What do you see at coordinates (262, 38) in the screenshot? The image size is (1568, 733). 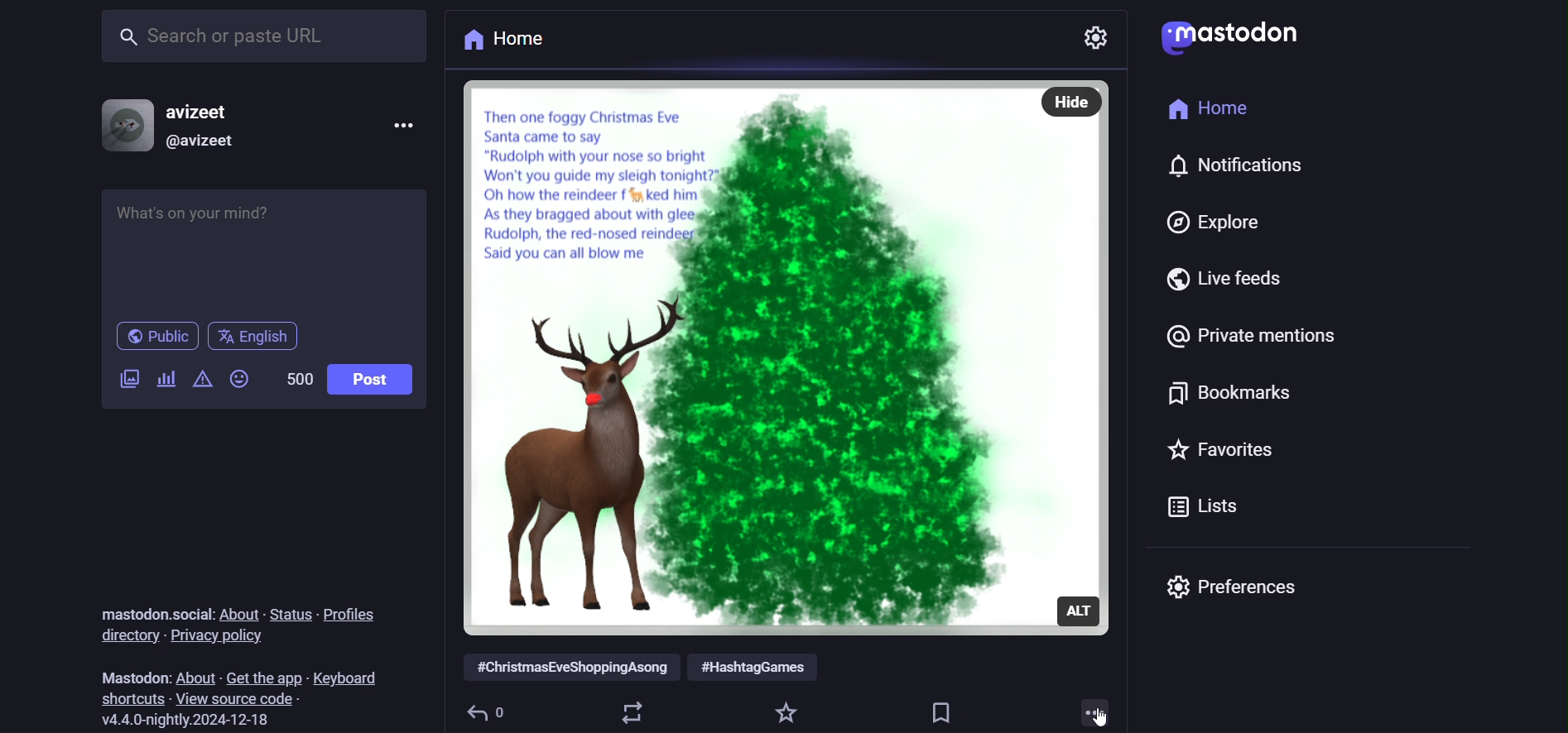 I see `search bar` at bounding box center [262, 38].